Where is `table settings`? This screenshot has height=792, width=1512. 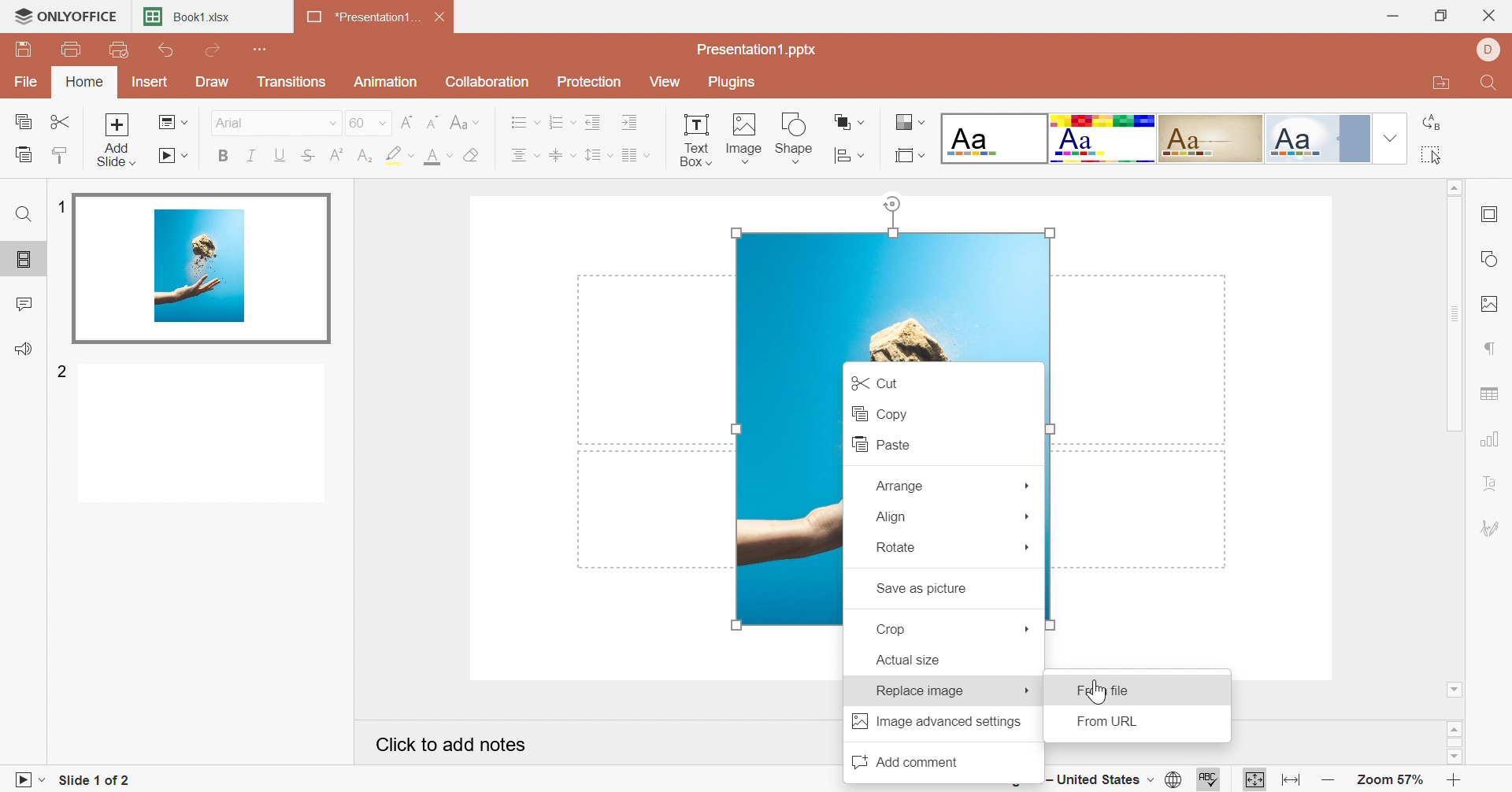 table settings is located at coordinates (1492, 394).